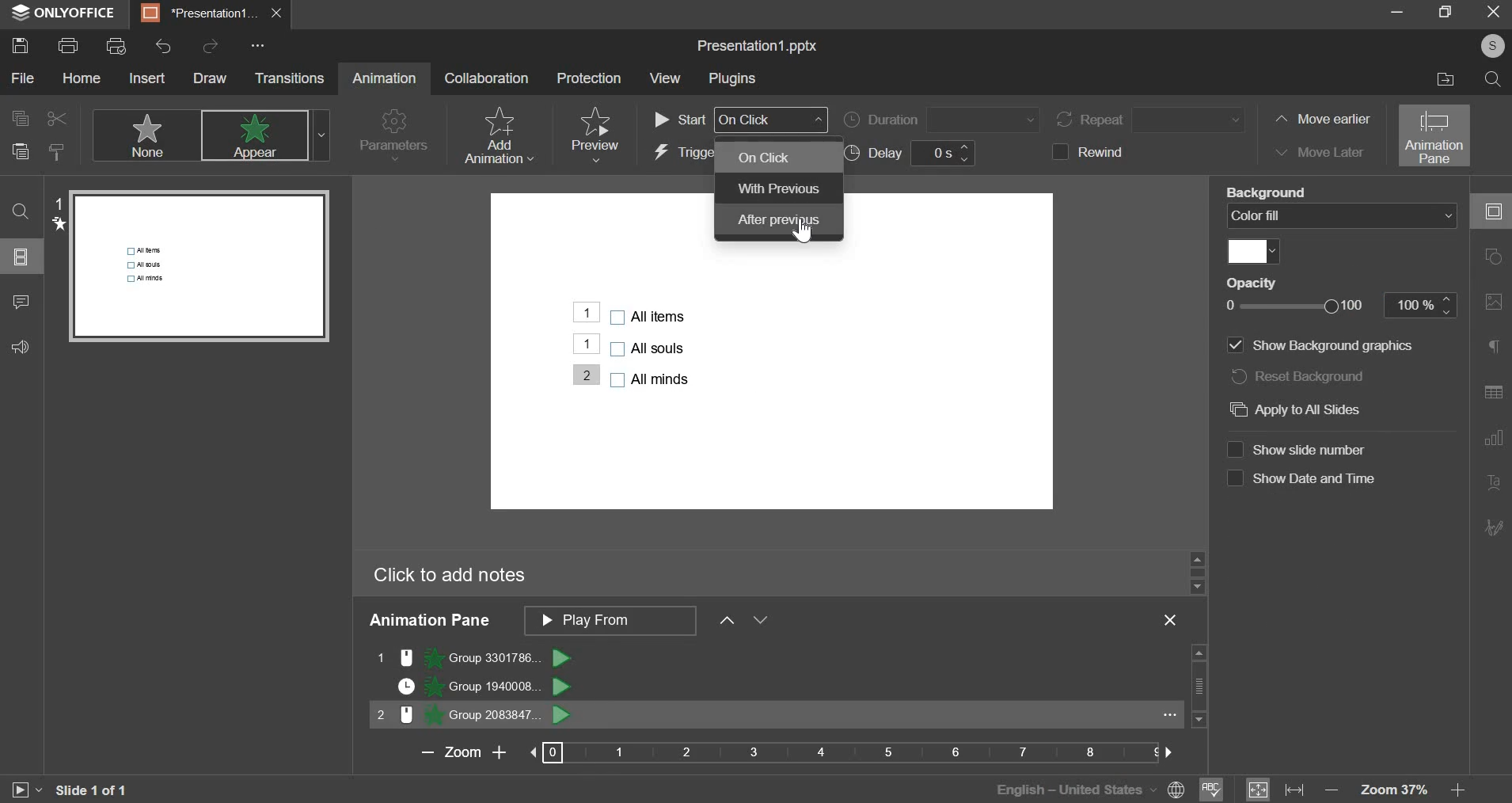  What do you see at coordinates (1252, 253) in the screenshot?
I see `fill color` at bounding box center [1252, 253].